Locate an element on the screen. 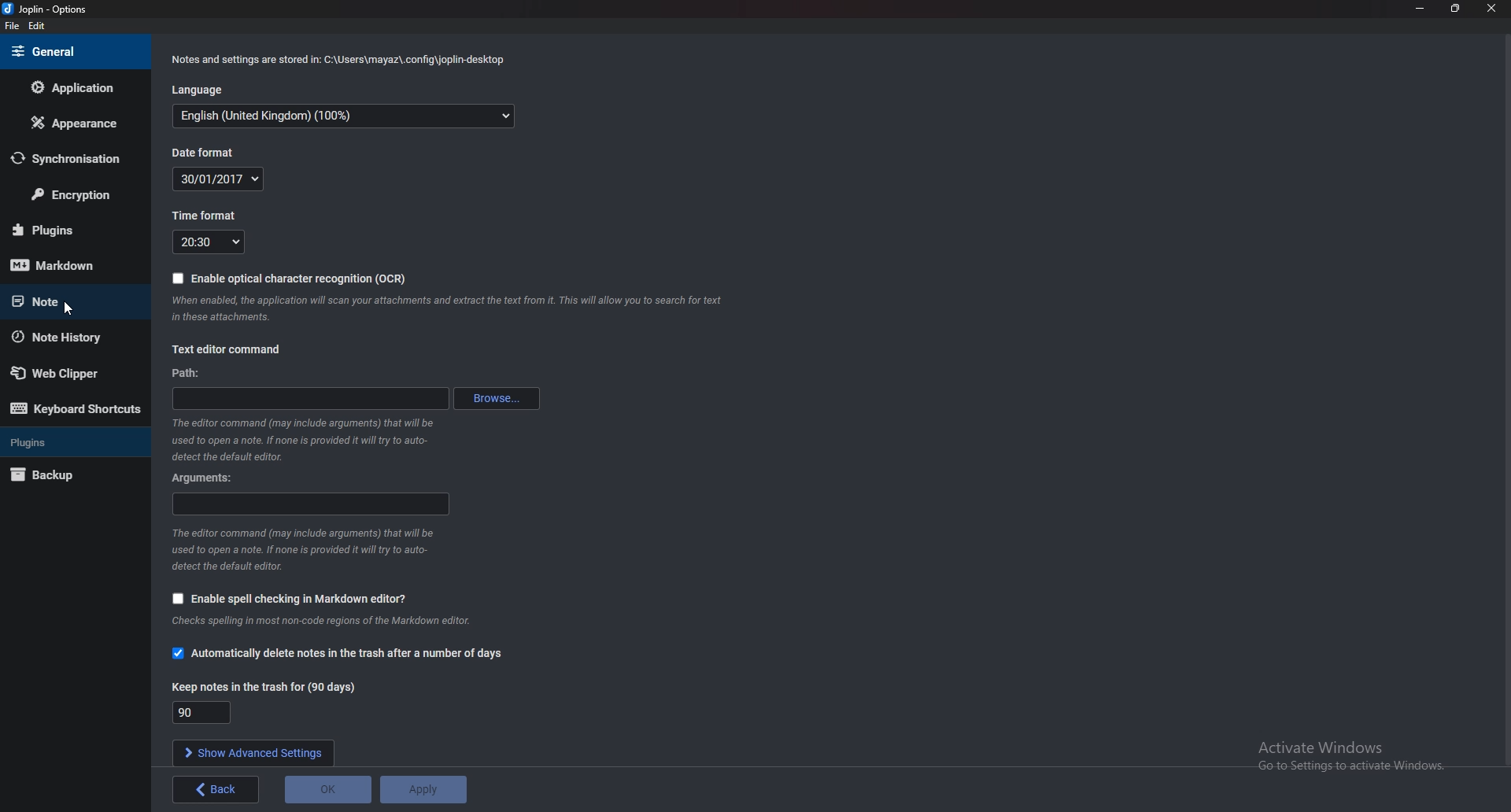  Encryption is located at coordinates (74, 196).